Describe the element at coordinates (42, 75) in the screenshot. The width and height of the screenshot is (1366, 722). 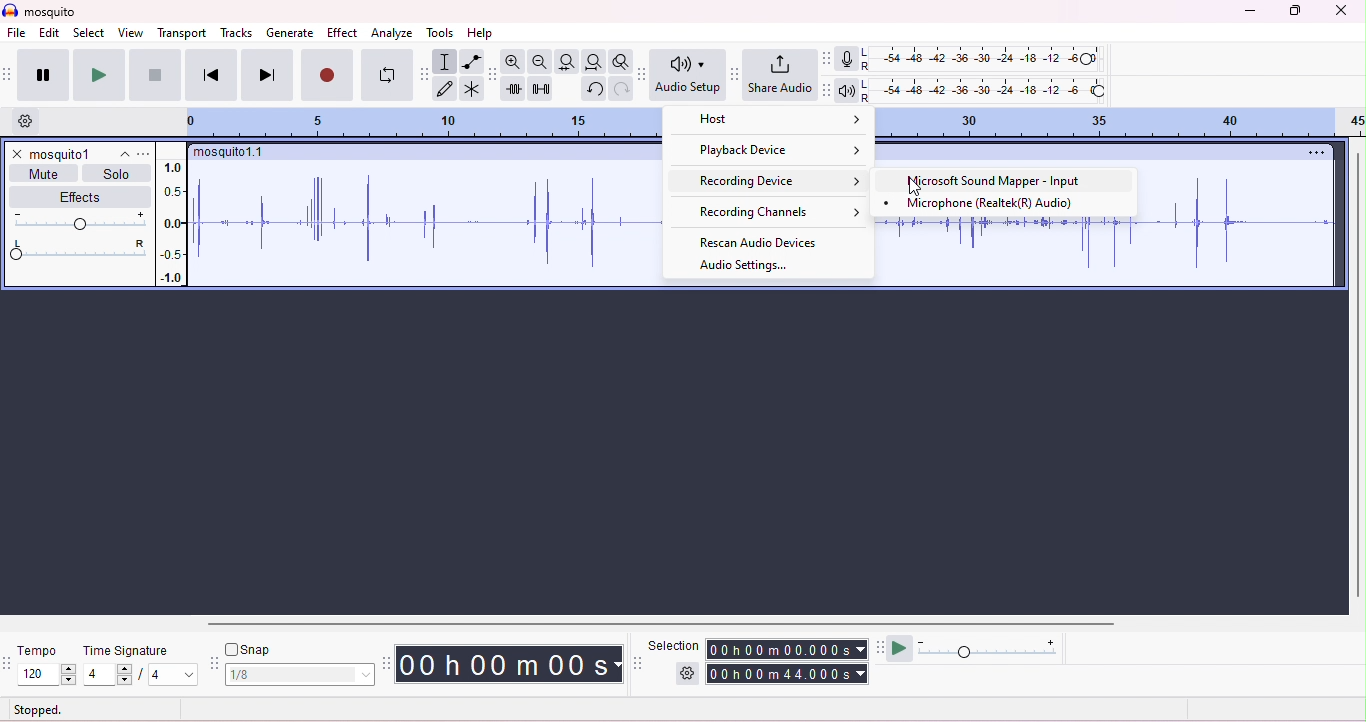
I see `pause` at that location.